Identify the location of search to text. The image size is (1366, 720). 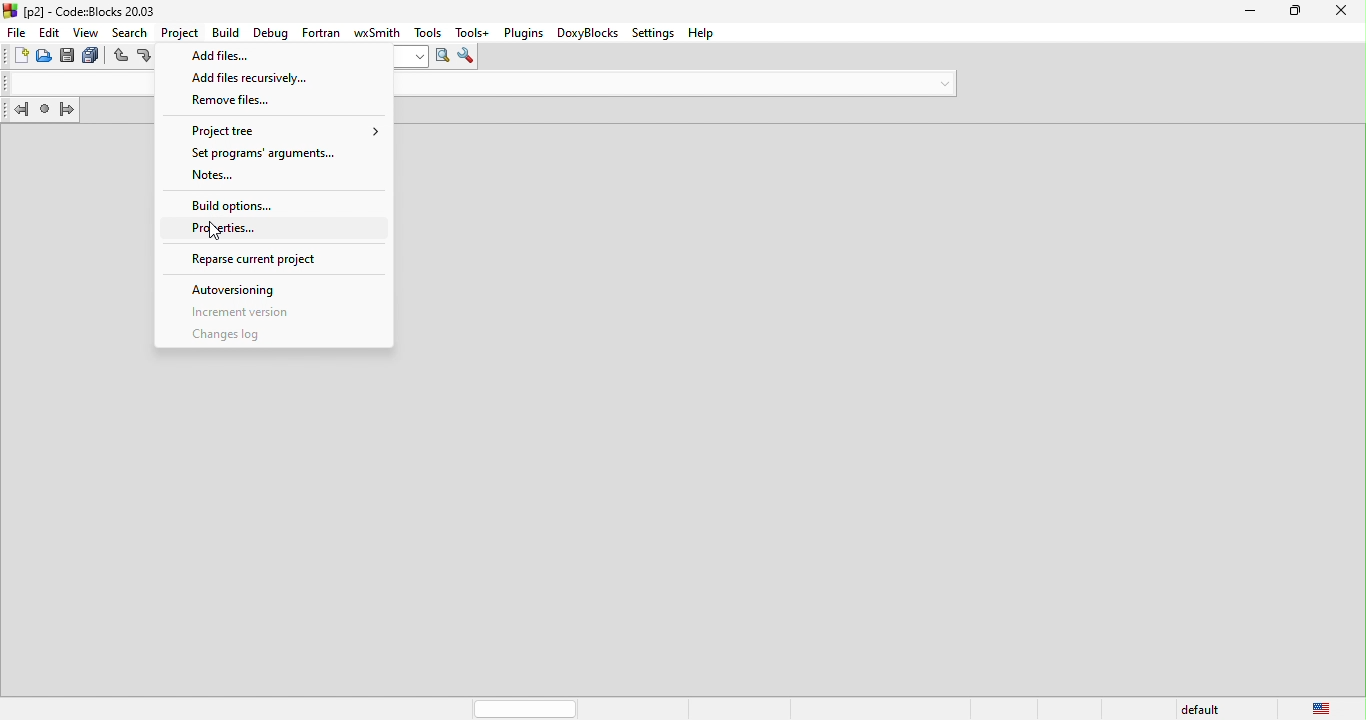
(411, 57).